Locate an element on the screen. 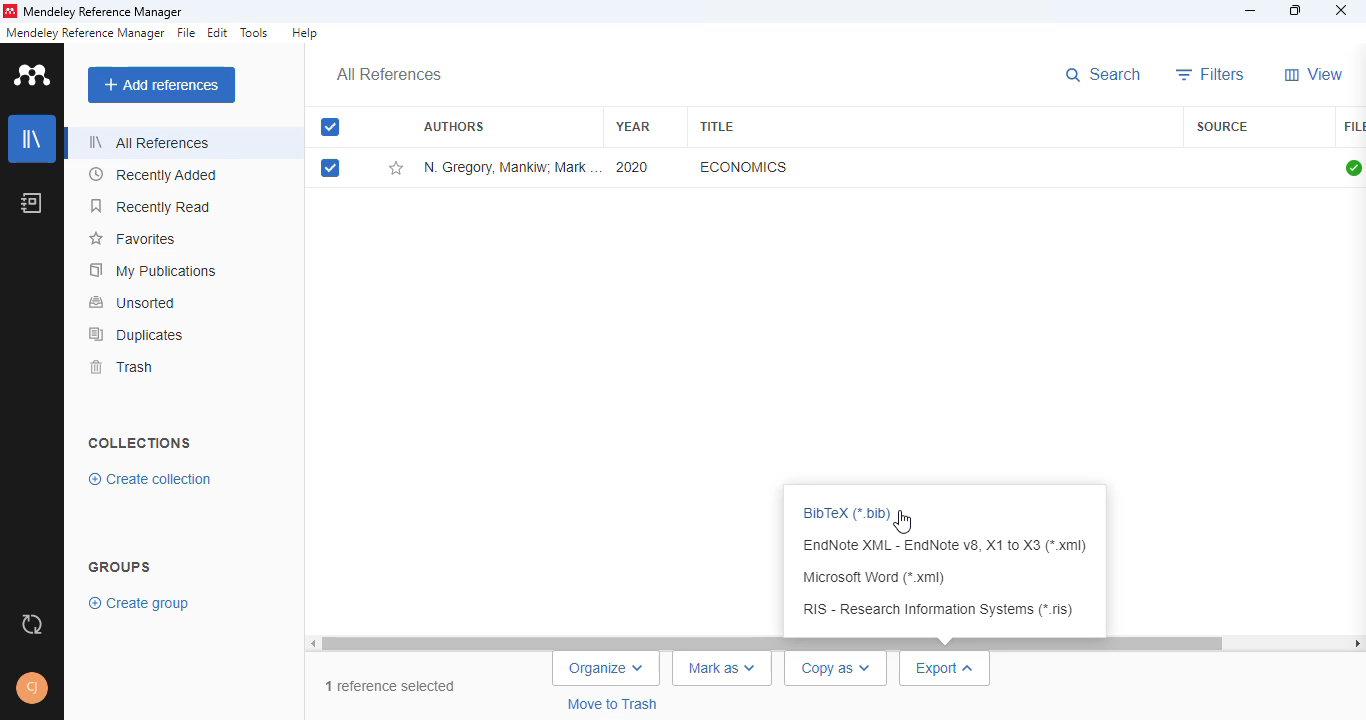 The height and width of the screenshot is (720, 1366). N. Gregory Mankiw, Mark P. Taylor is located at coordinates (511, 167).